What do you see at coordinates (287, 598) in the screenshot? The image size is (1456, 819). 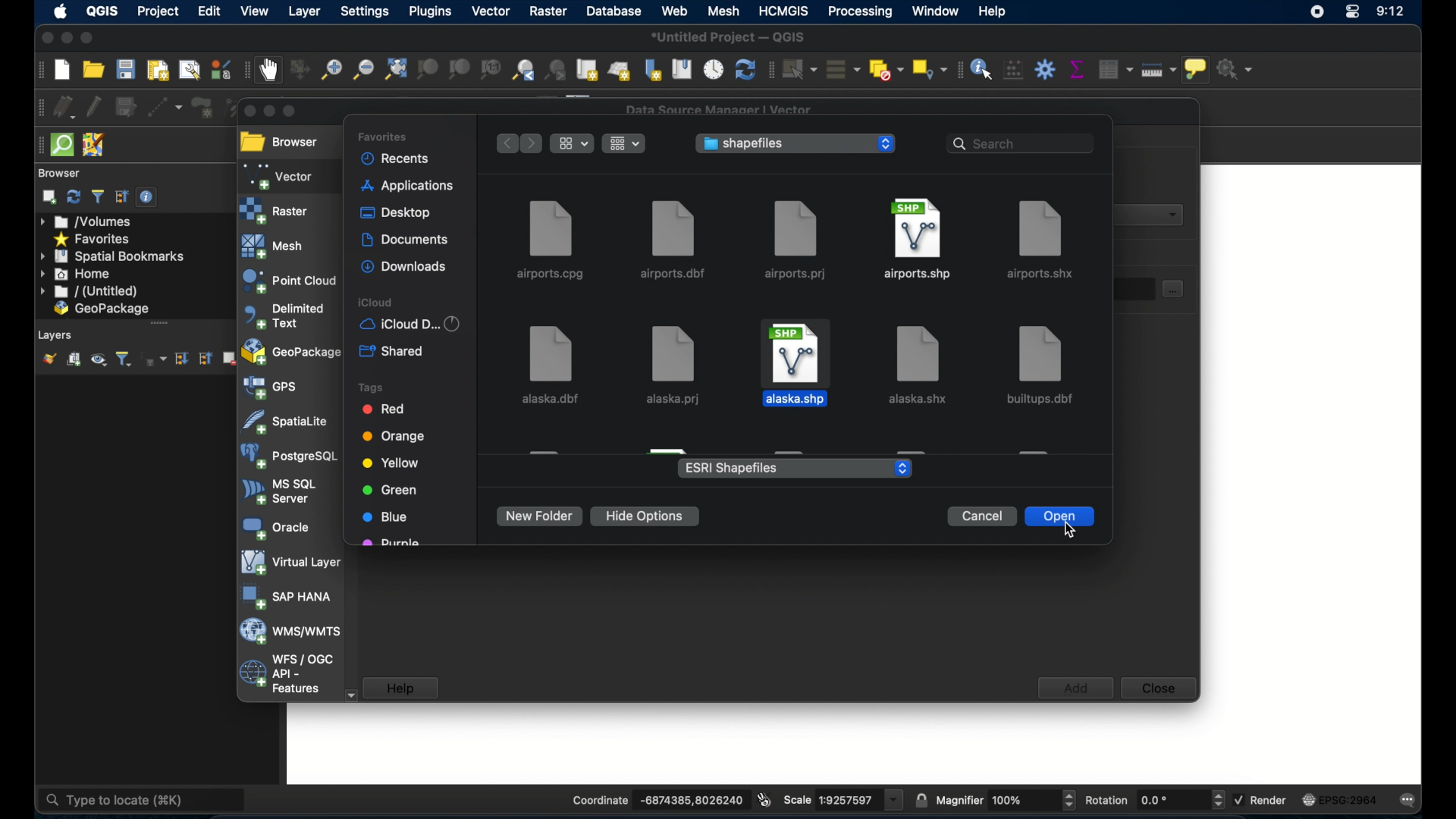 I see `sap hana` at bounding box center [287, 598].